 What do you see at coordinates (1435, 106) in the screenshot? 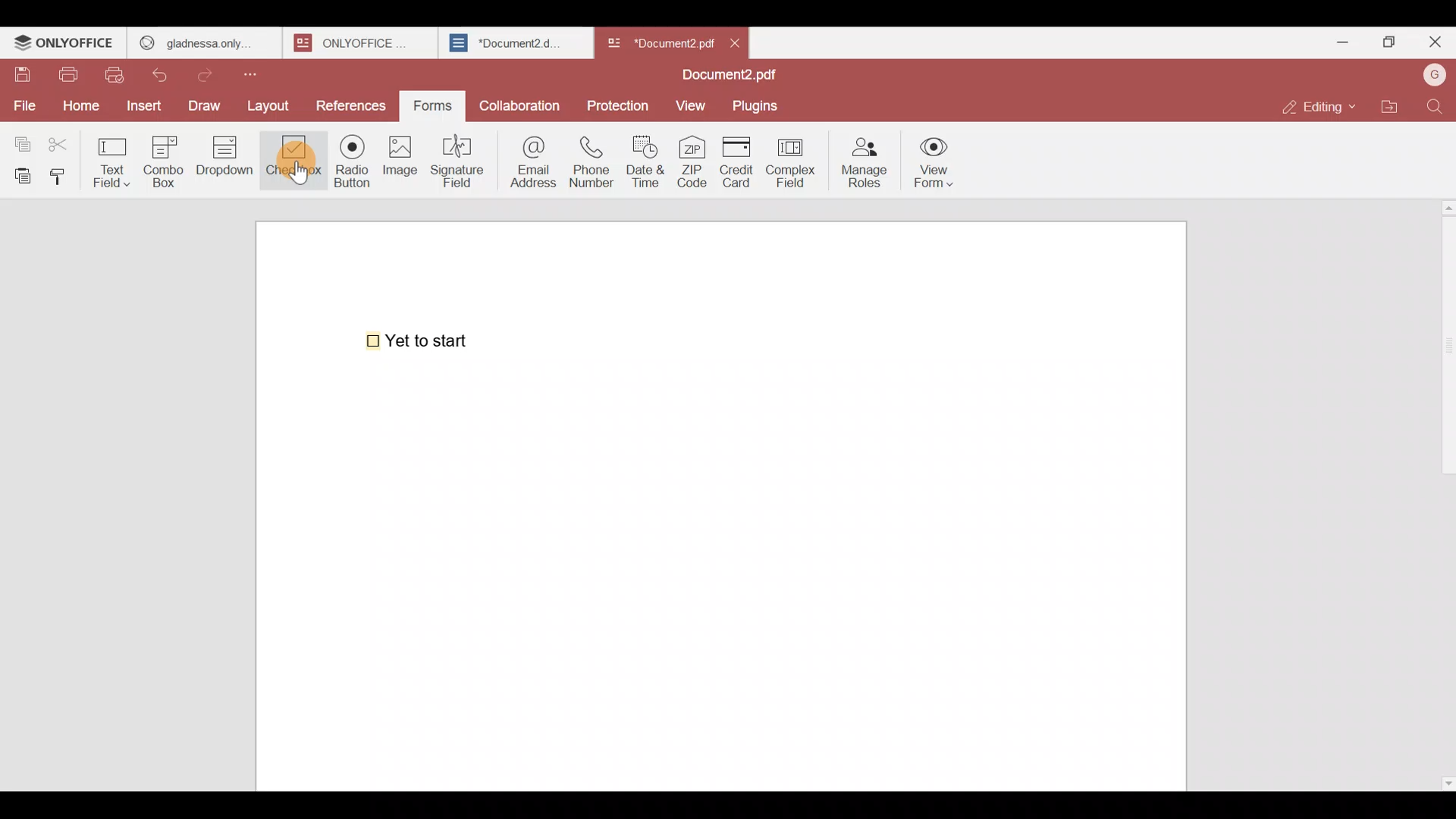
I see `Find` at bounding box center [1435, 106].